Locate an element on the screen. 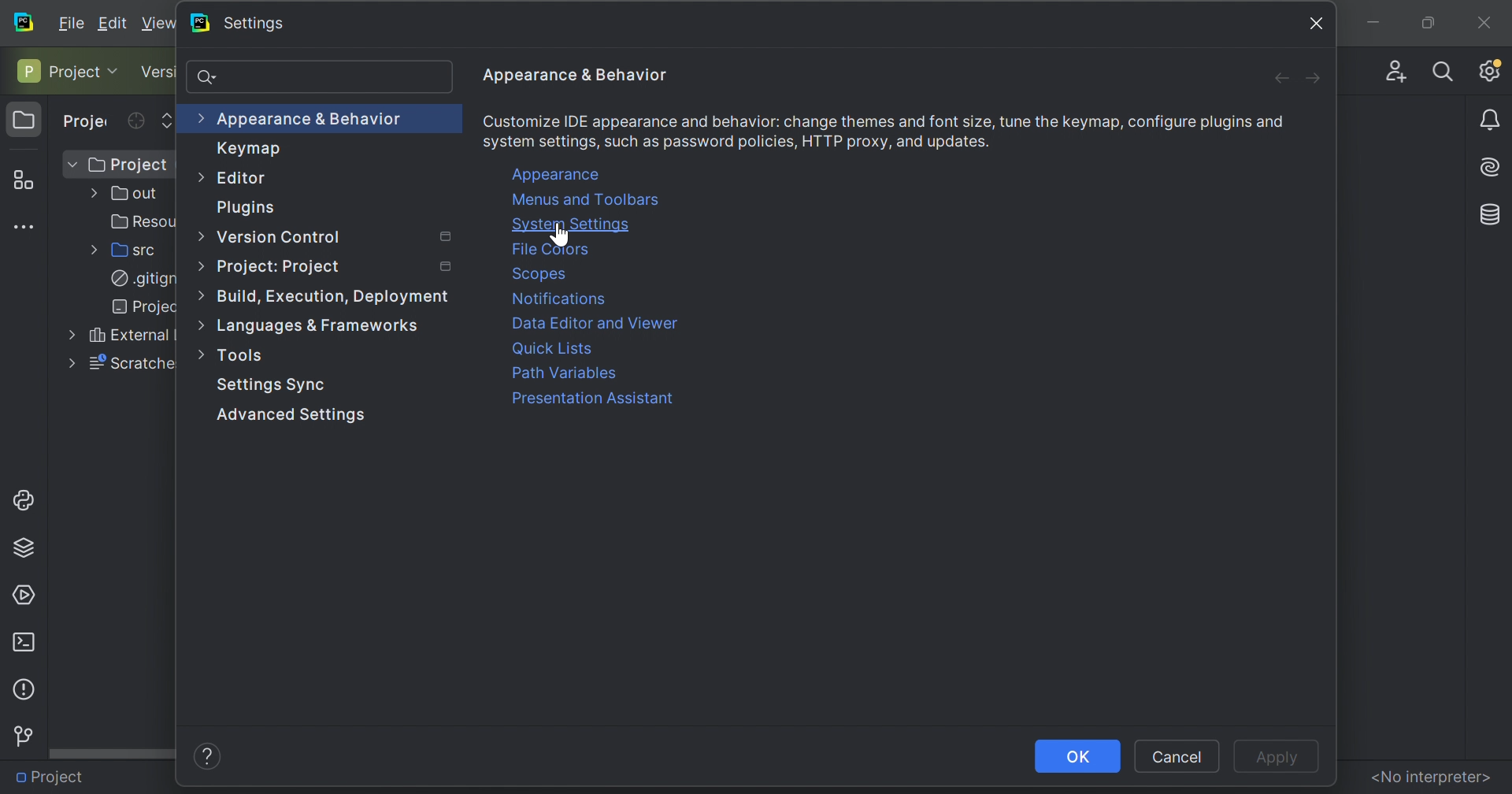  Project is located at coordinates (24, 121).